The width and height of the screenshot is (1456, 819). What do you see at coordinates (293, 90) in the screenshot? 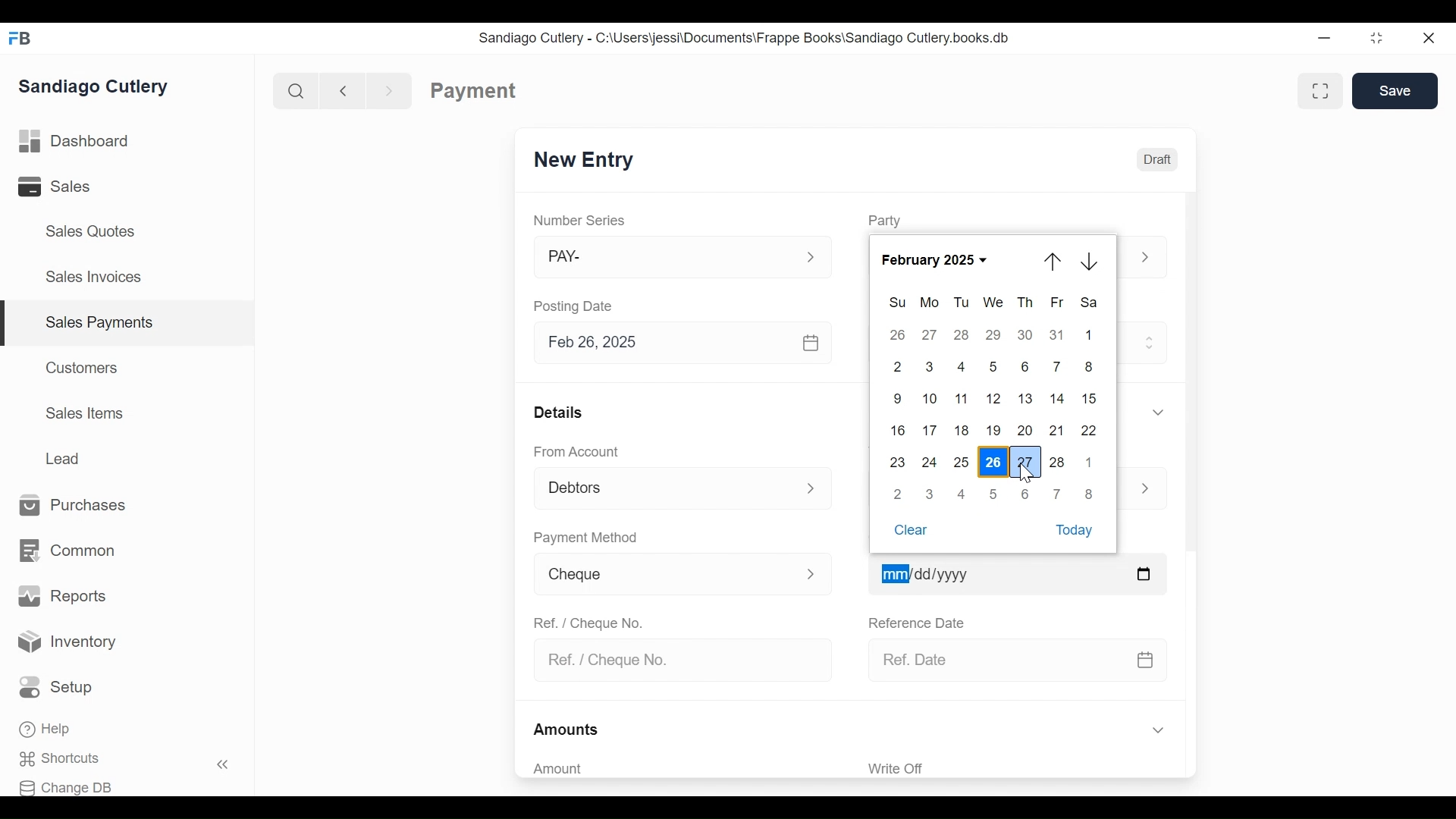
I see `Search` at bounding box center [293, 90].